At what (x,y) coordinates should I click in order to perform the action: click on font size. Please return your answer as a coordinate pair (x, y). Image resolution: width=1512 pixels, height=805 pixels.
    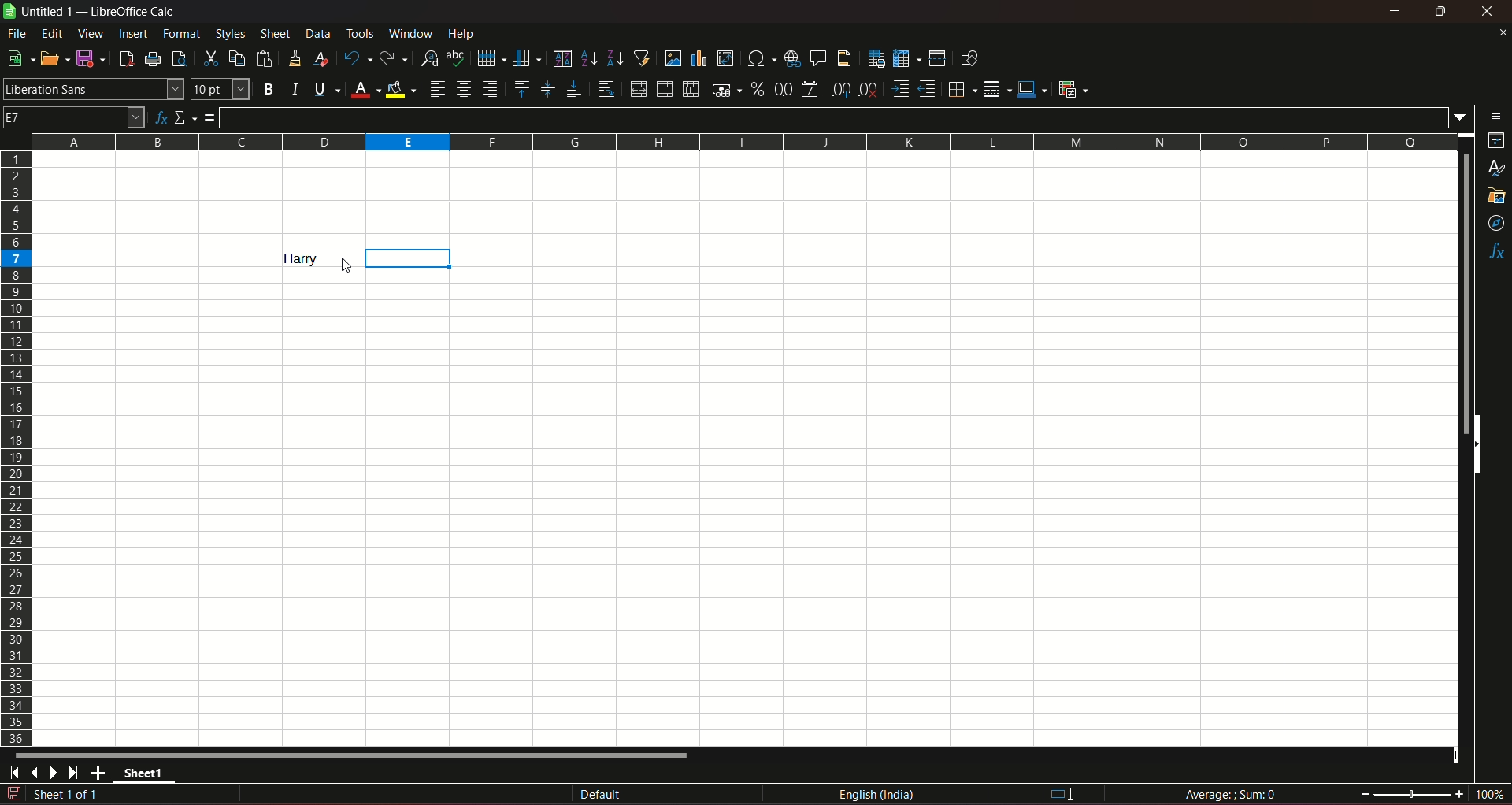
    Looking at the image, I should click on (218, 90).